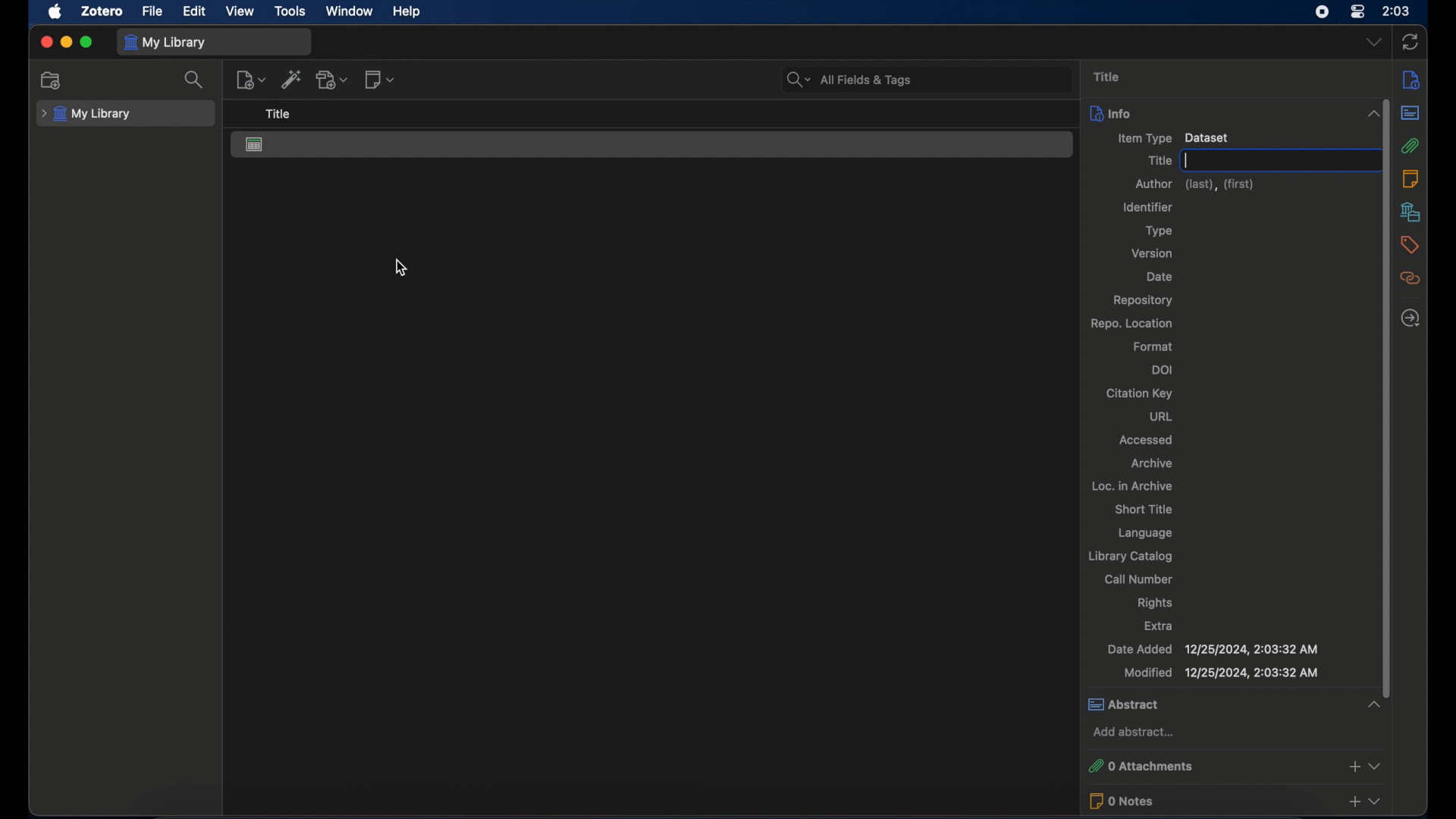 This screenshot has height=819, width=1456. I want to click on url, so click(1160, 416).